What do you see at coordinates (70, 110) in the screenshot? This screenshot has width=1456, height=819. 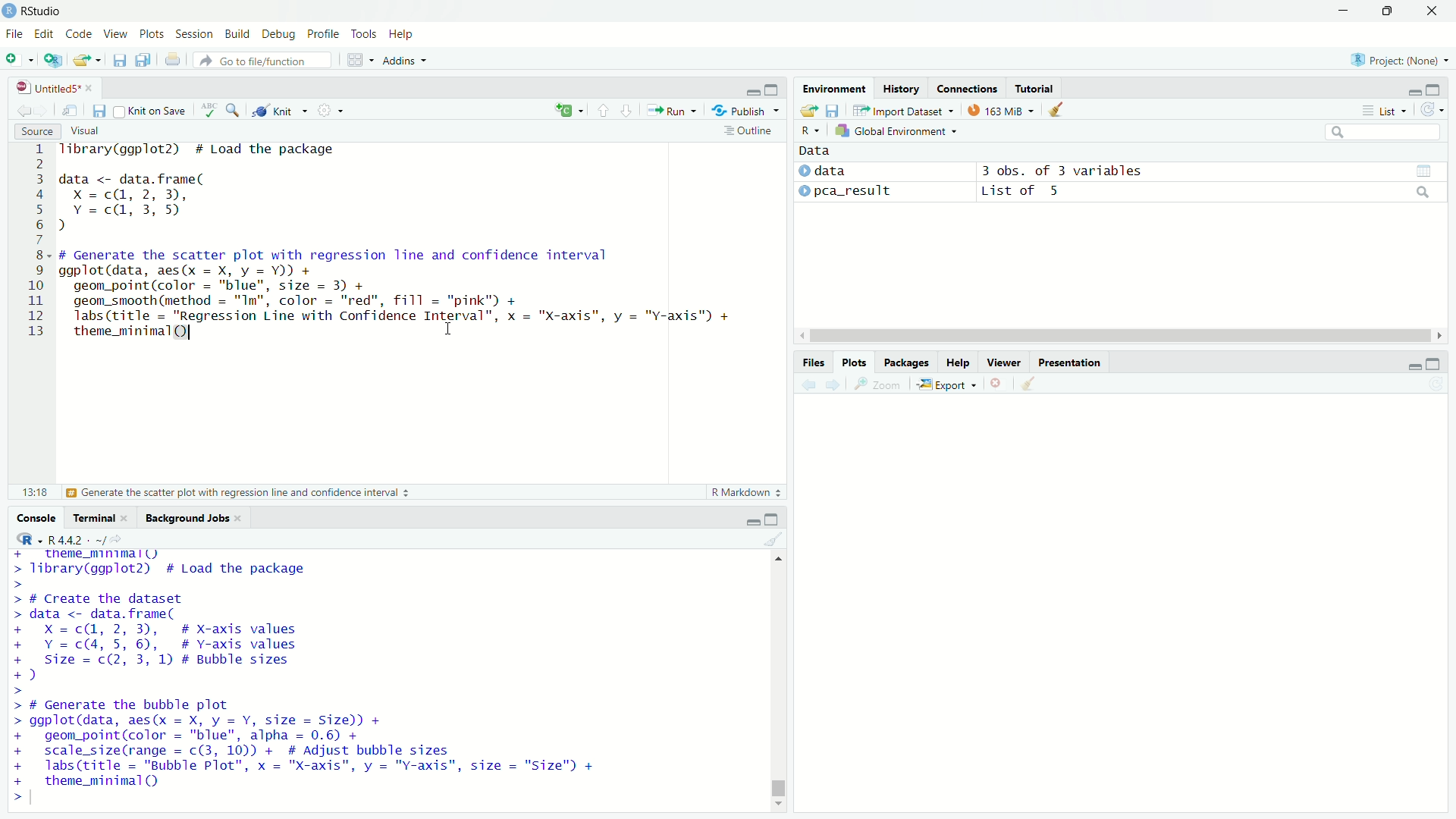 I see `Show in new window` at bounding box center [70, 110].